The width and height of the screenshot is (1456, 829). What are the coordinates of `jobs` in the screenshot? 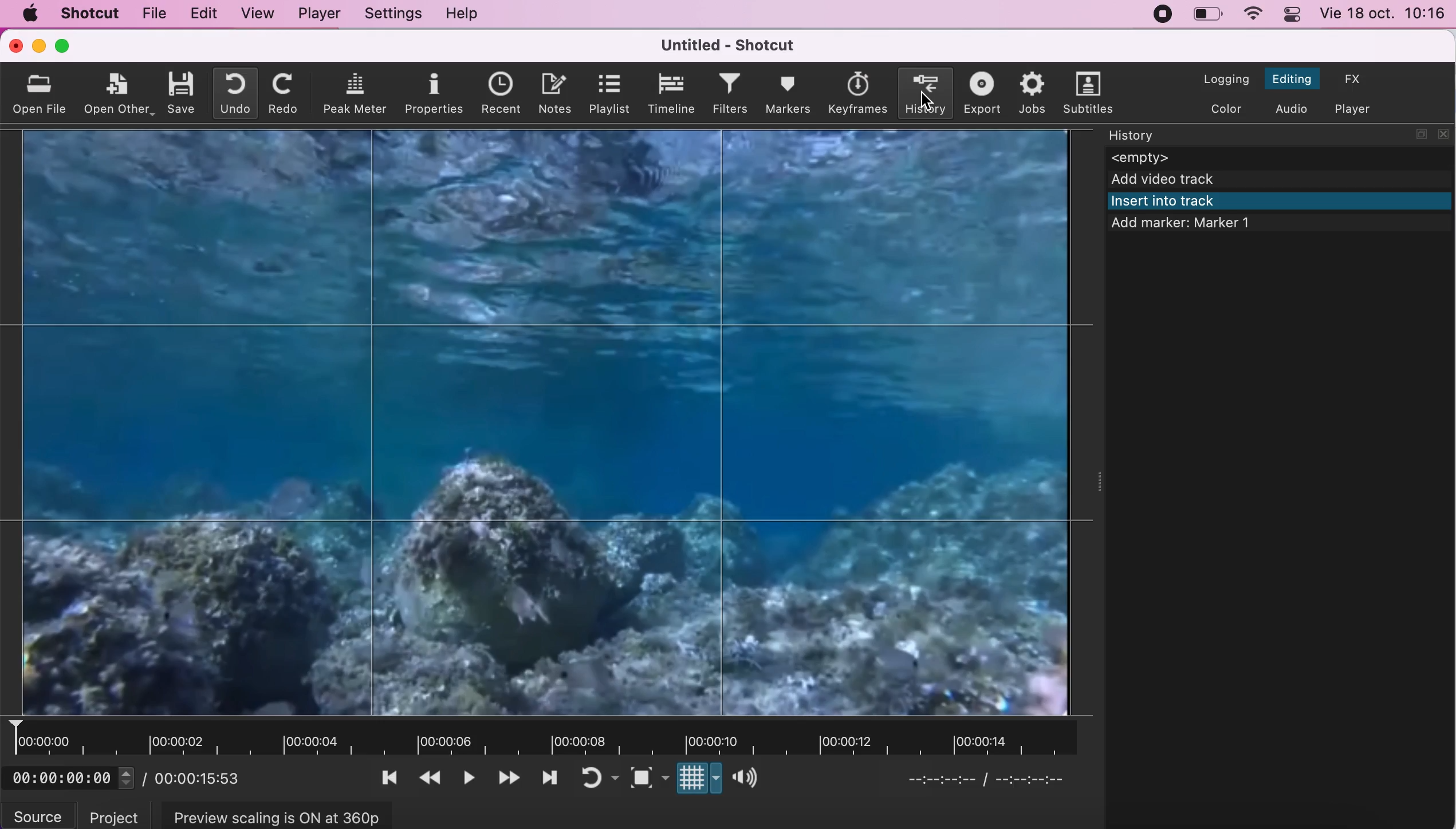 It's located at (1030, 91).